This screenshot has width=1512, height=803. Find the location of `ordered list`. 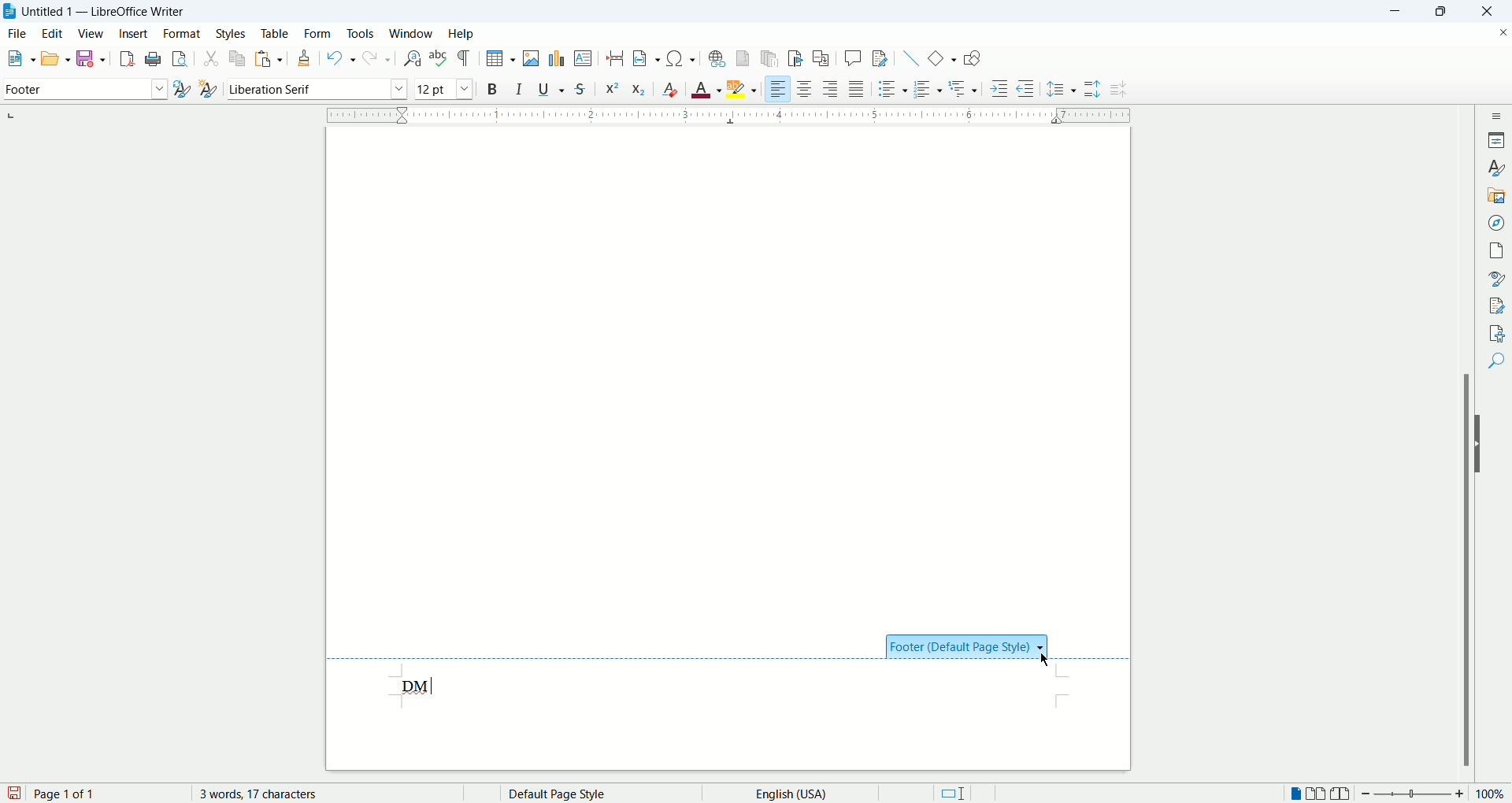

ordered list is located at coordinates (929, 90).